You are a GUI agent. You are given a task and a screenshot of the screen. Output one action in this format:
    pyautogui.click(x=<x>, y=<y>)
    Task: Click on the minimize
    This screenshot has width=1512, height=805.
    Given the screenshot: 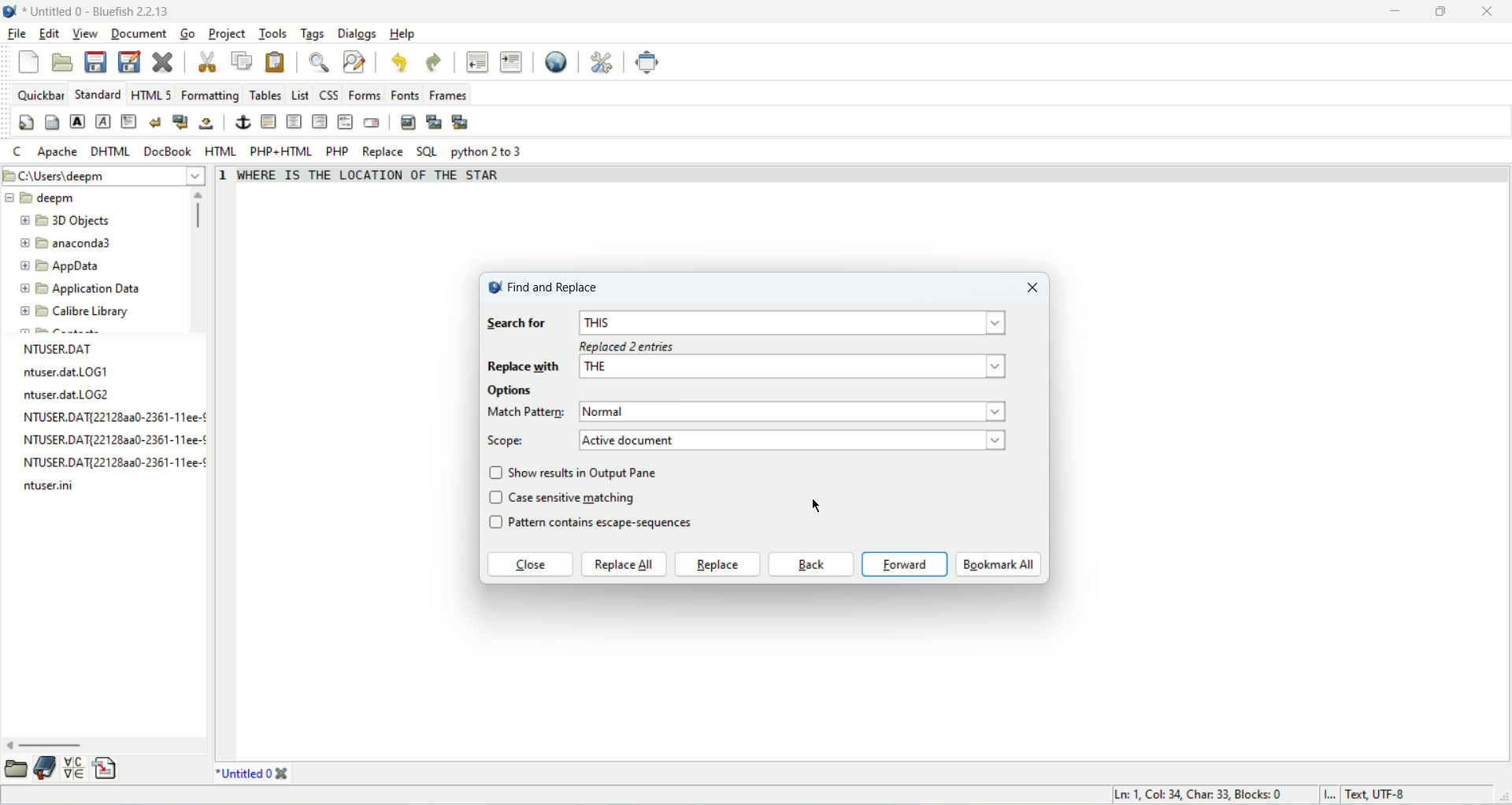 What is the action you would take?
    pyautogui.click(x=1399, y=10)
    